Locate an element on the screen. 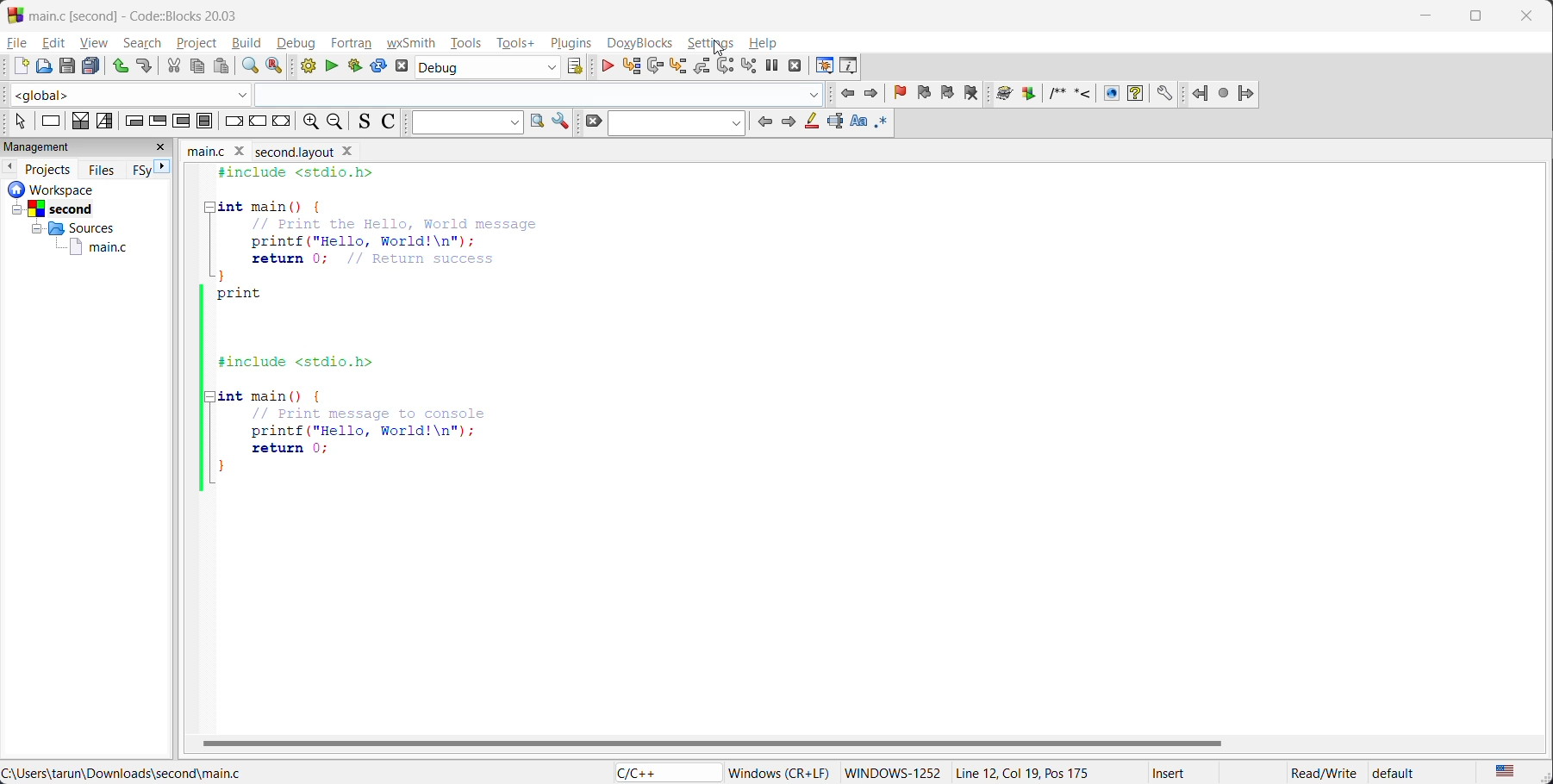 This screenshot has height=784, width=1553. zoom in is located at coordinates (309, 121).